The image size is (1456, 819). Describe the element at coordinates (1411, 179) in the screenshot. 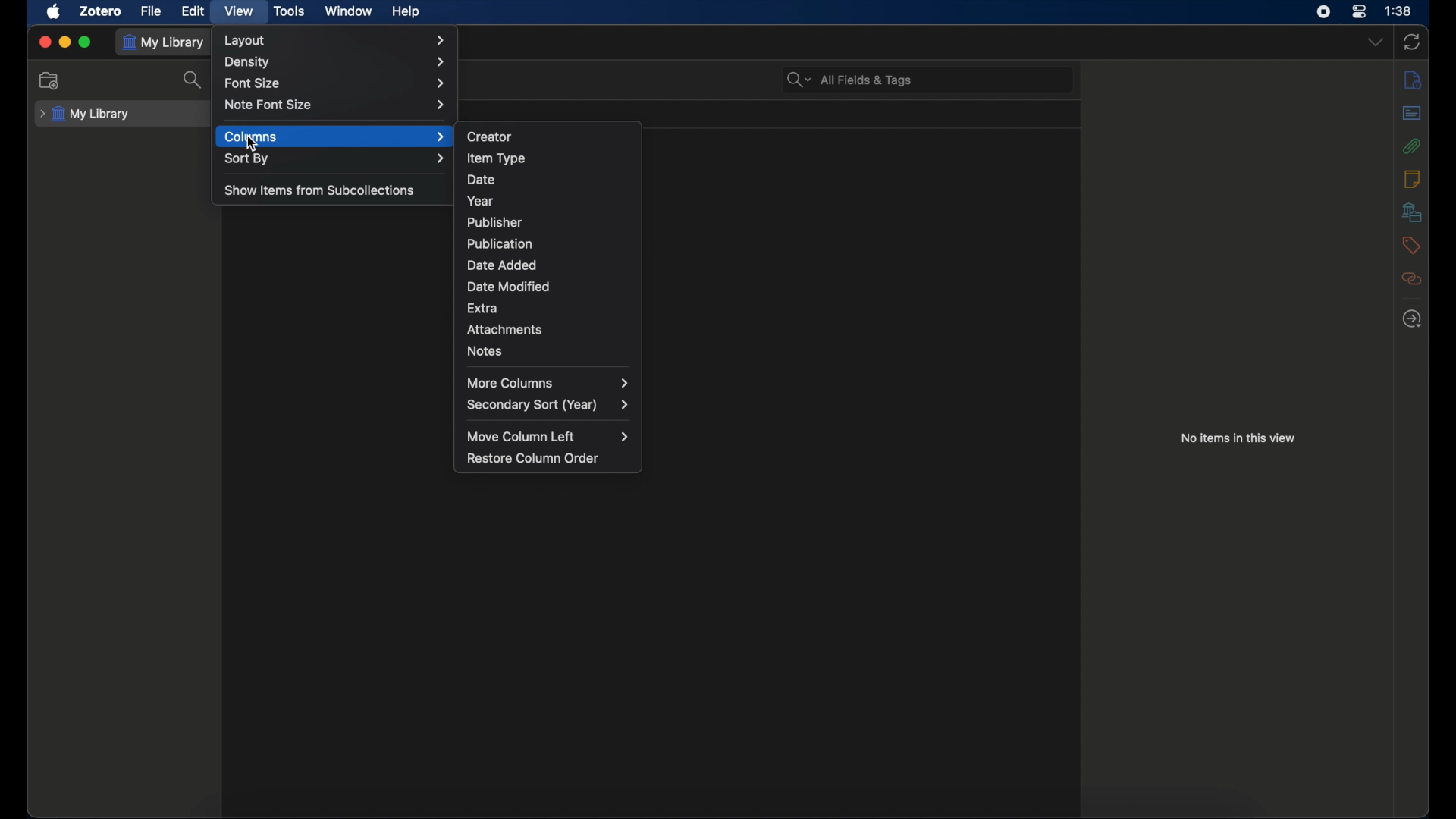

I see `notes` at that location.